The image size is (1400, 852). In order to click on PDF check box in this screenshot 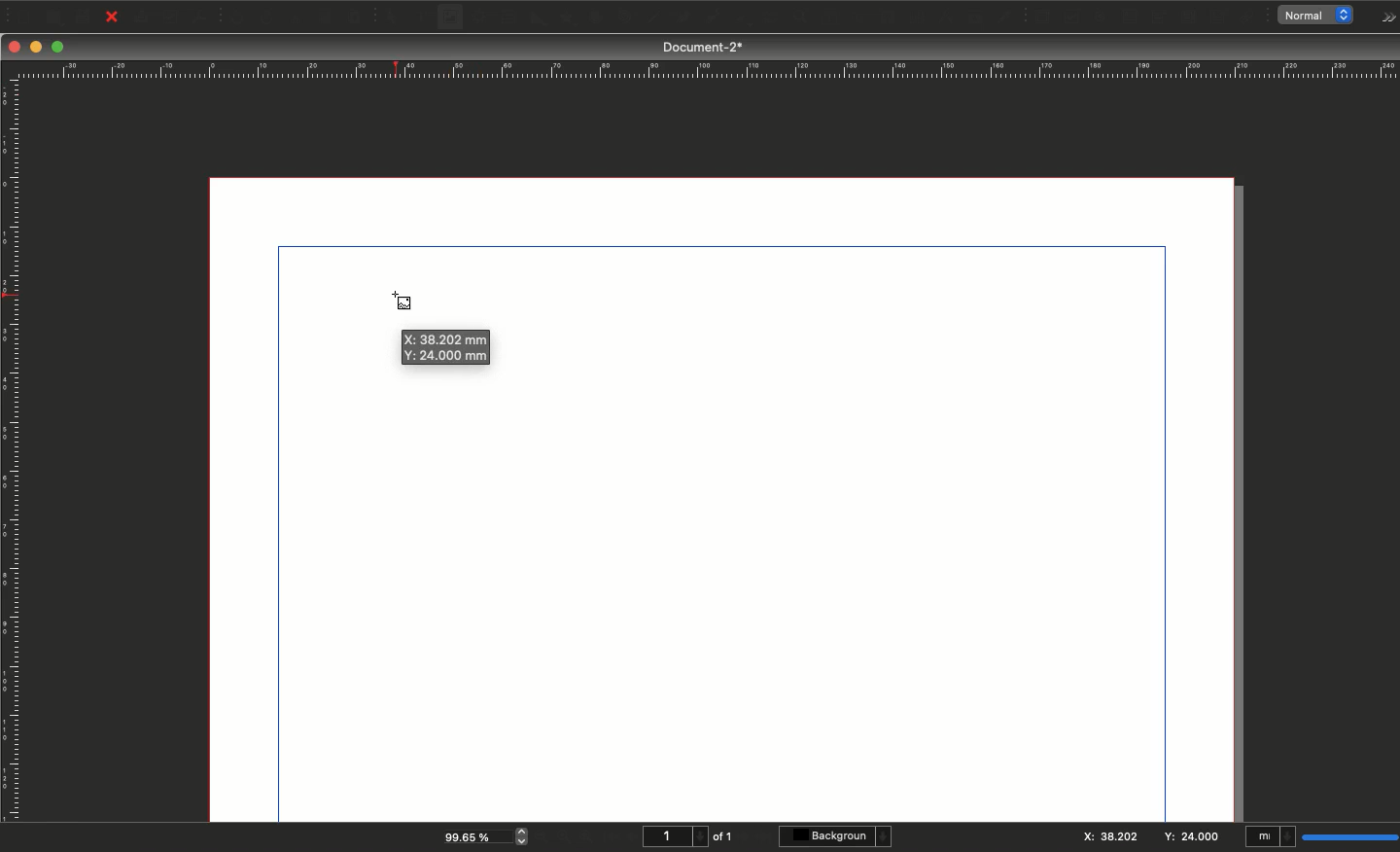, I will do `click(1071, 18)`.